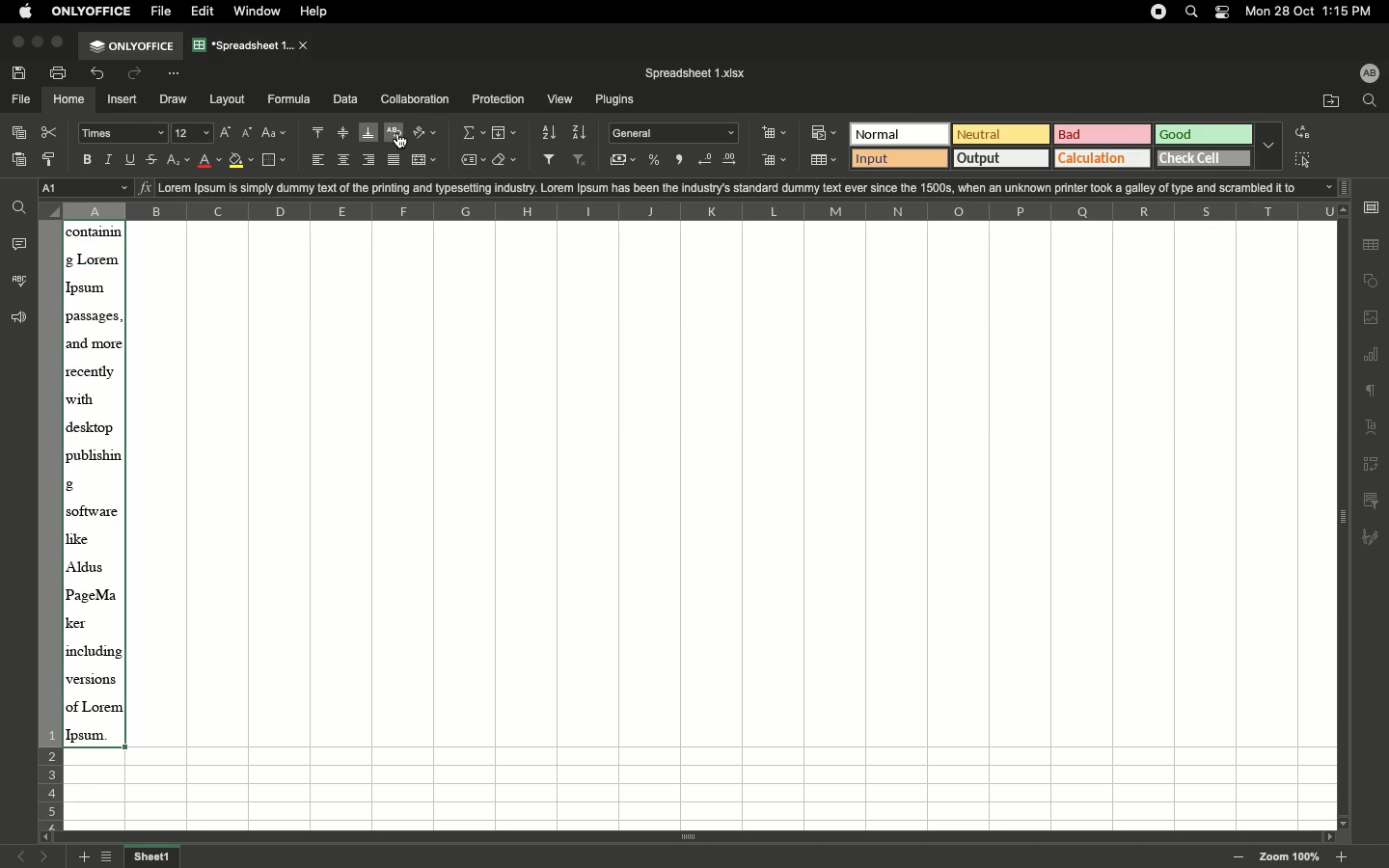  What do you see at coordinates (248, 134) in the screenshot?
I see `Decrease font size` at bounding box center [248, 134].